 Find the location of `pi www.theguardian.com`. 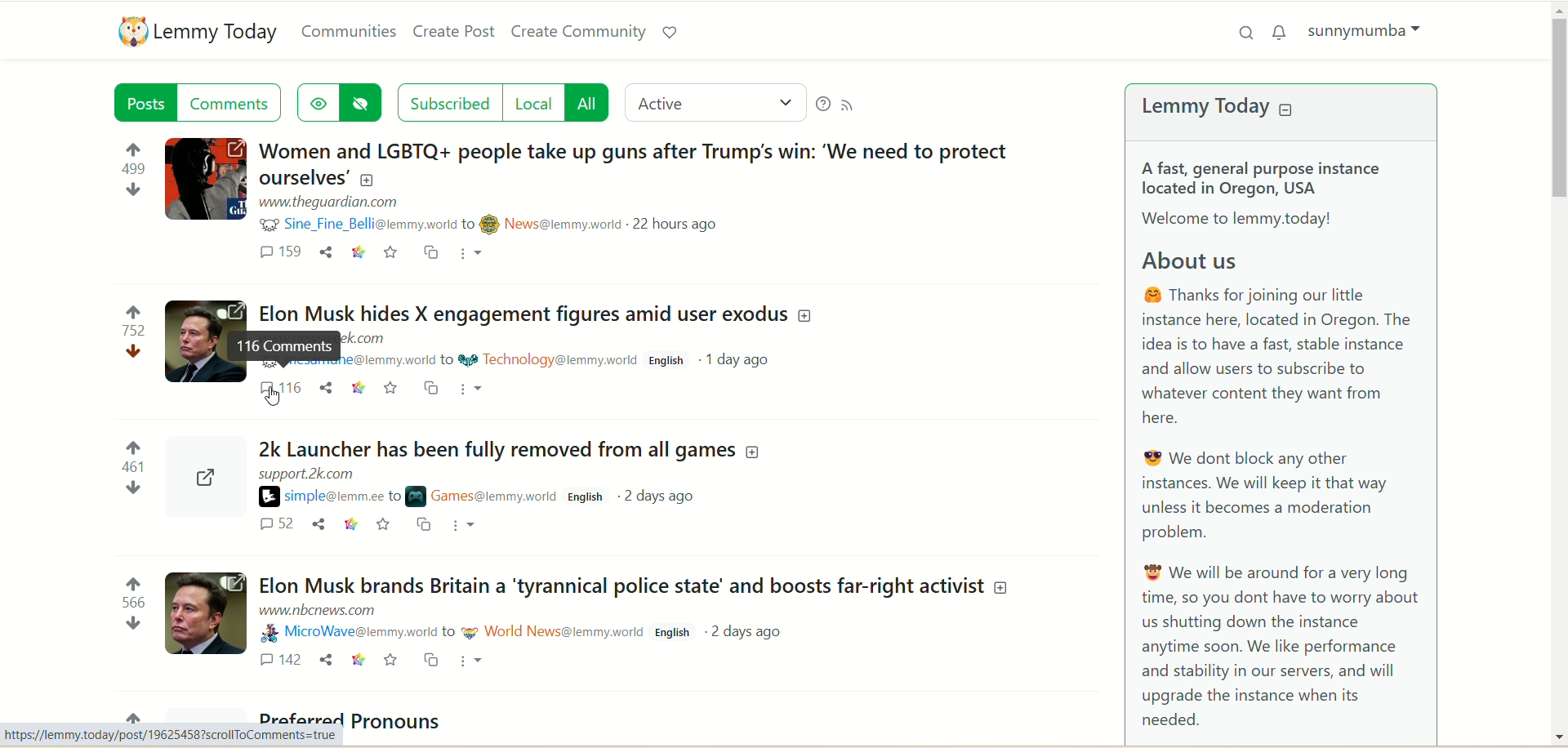

pi www.theguardian.com is located at coordinates (330, 203).